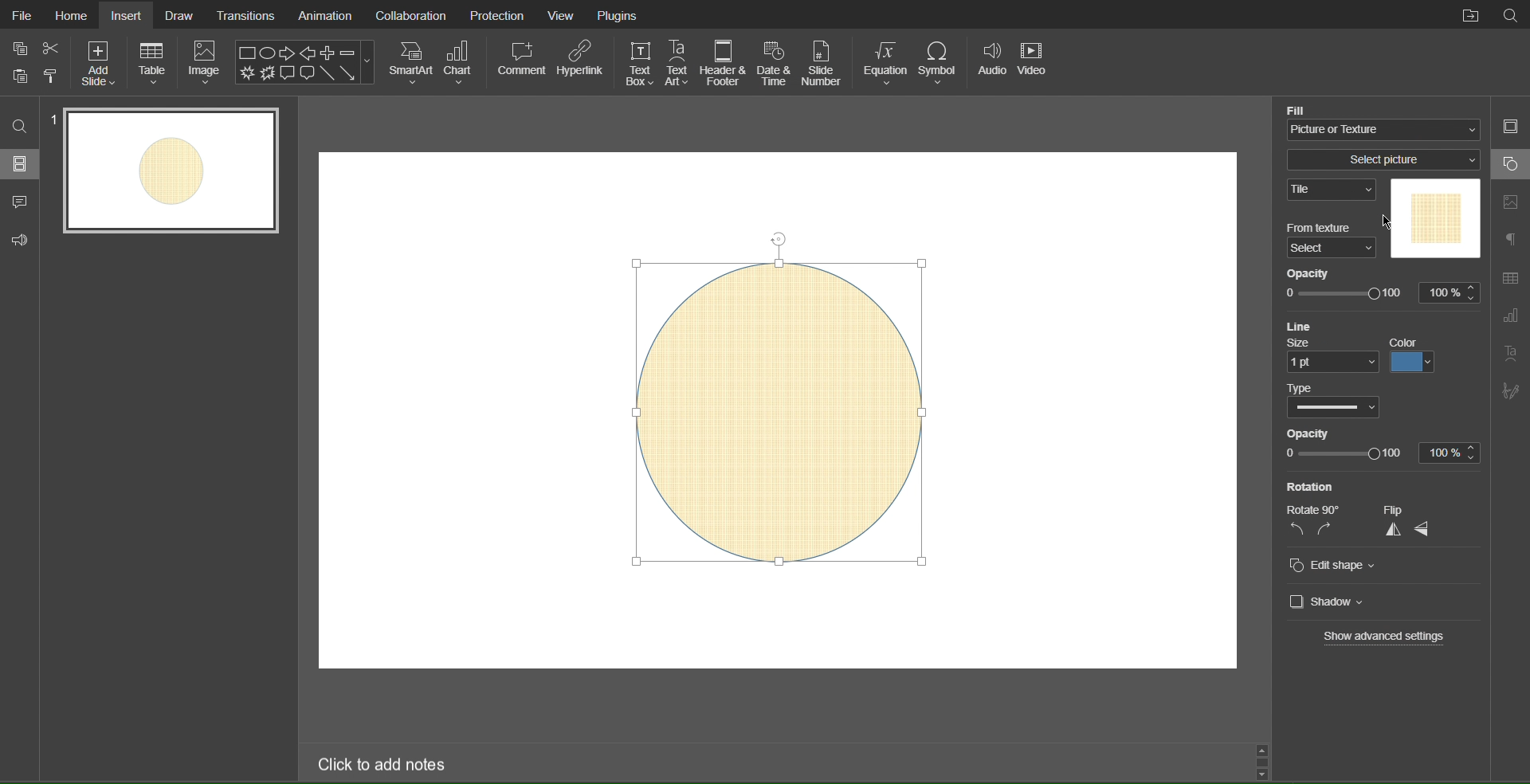  Describe the element at coordinates (1385, 128) in the screenshot. I see `picture or texture` at that location.